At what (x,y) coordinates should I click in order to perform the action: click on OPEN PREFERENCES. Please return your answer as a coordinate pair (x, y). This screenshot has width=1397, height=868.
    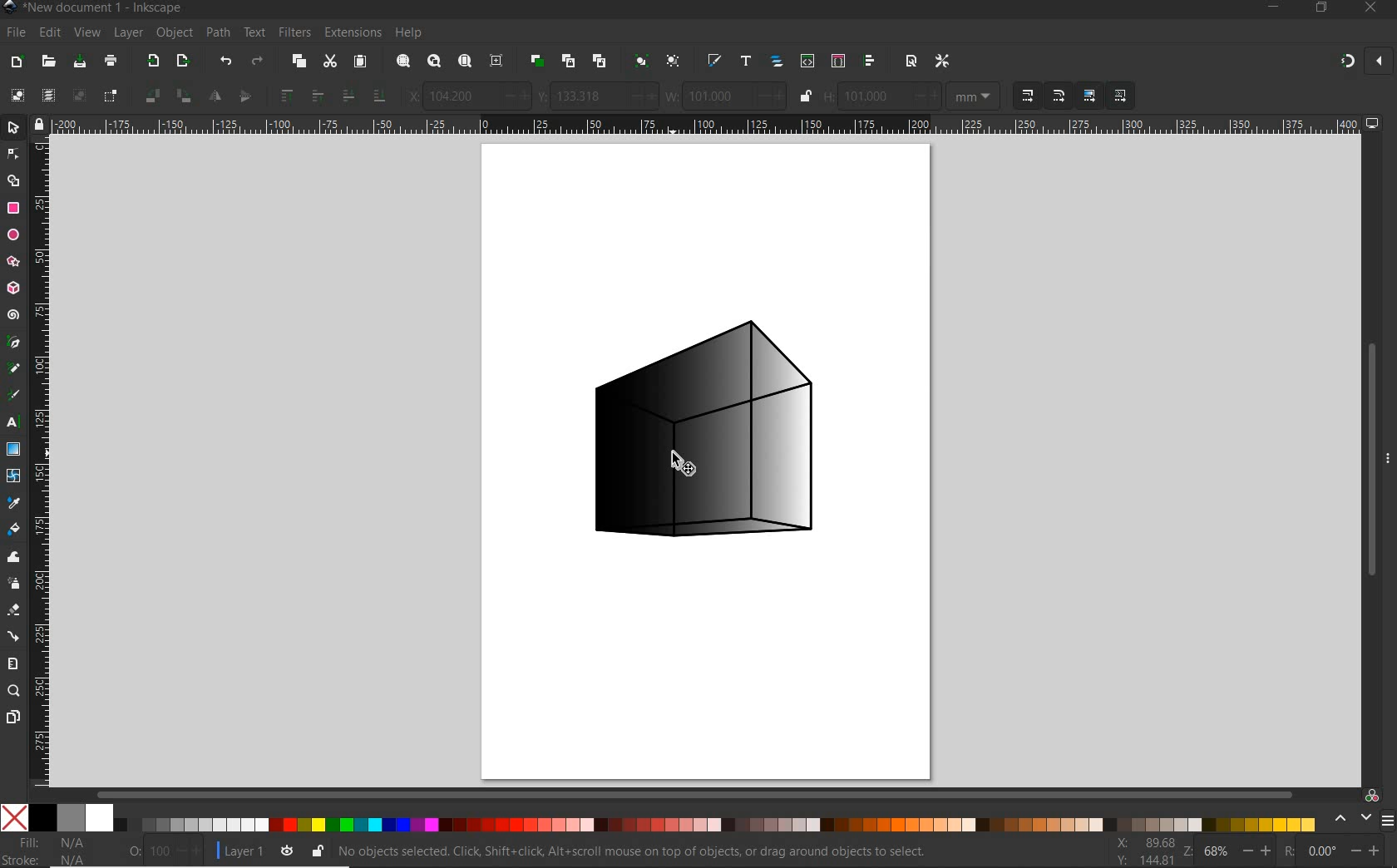
    Looking at the image, I should click on (943, 59).